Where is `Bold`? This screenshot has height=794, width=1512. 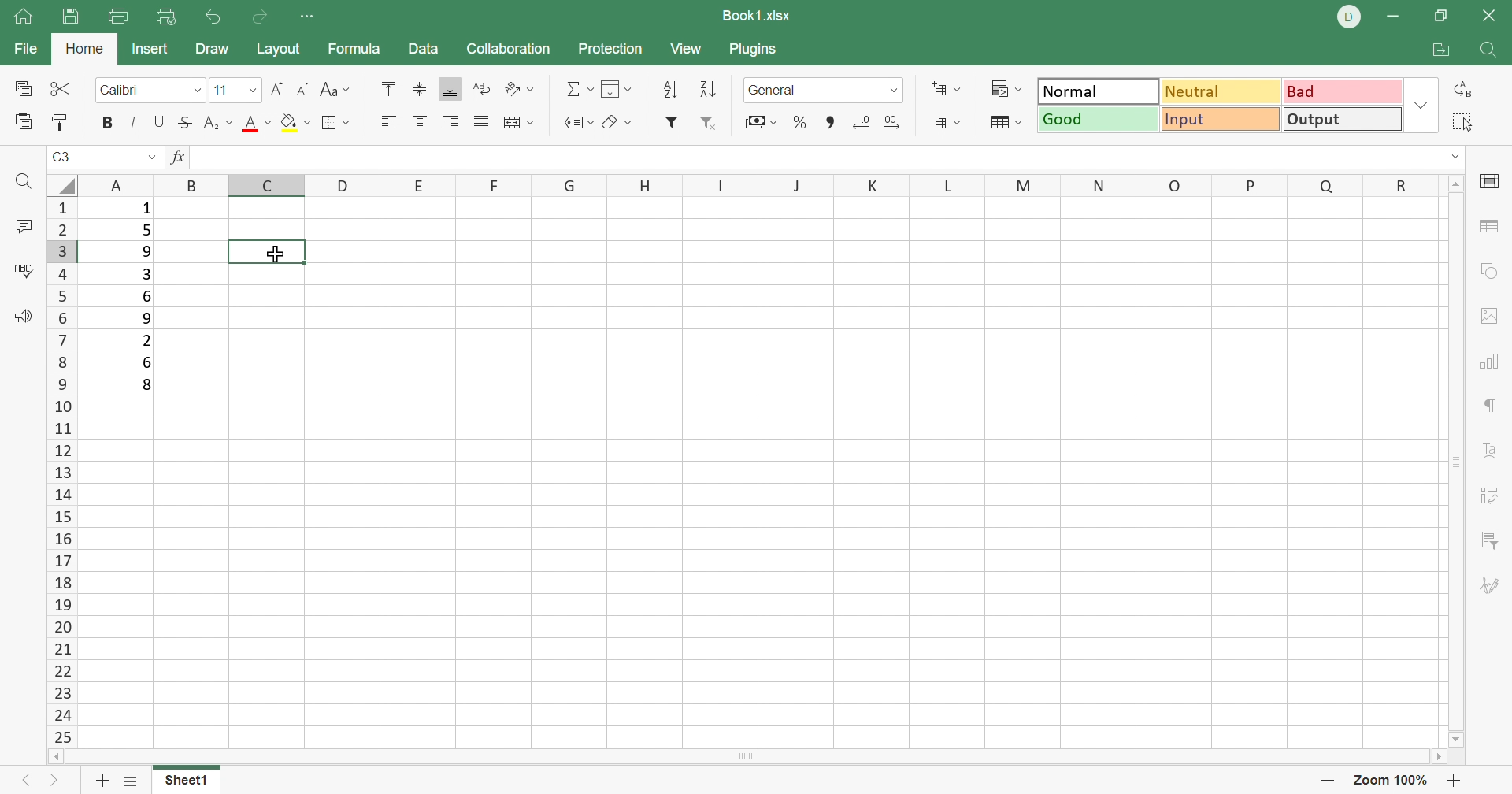
Bold is located at coordinates (105, 121).